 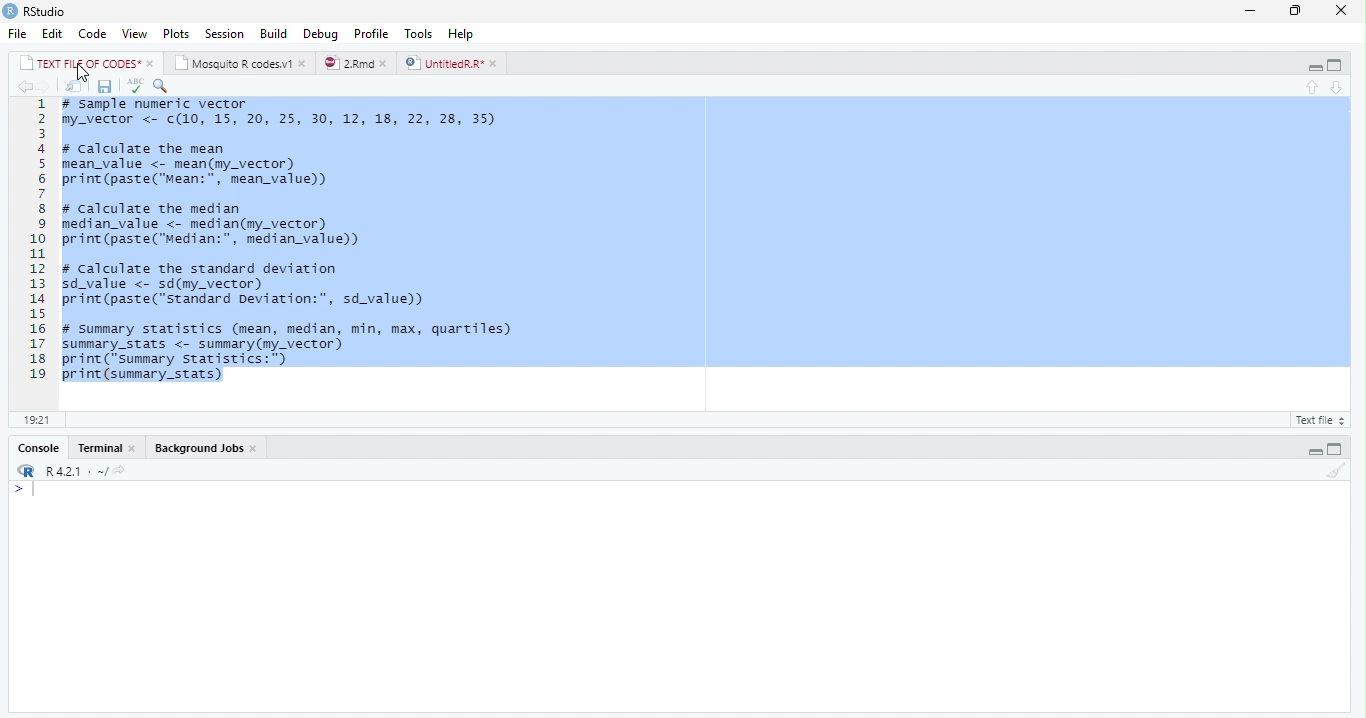 I want to click on minimize, so click(x=1250, y=12).